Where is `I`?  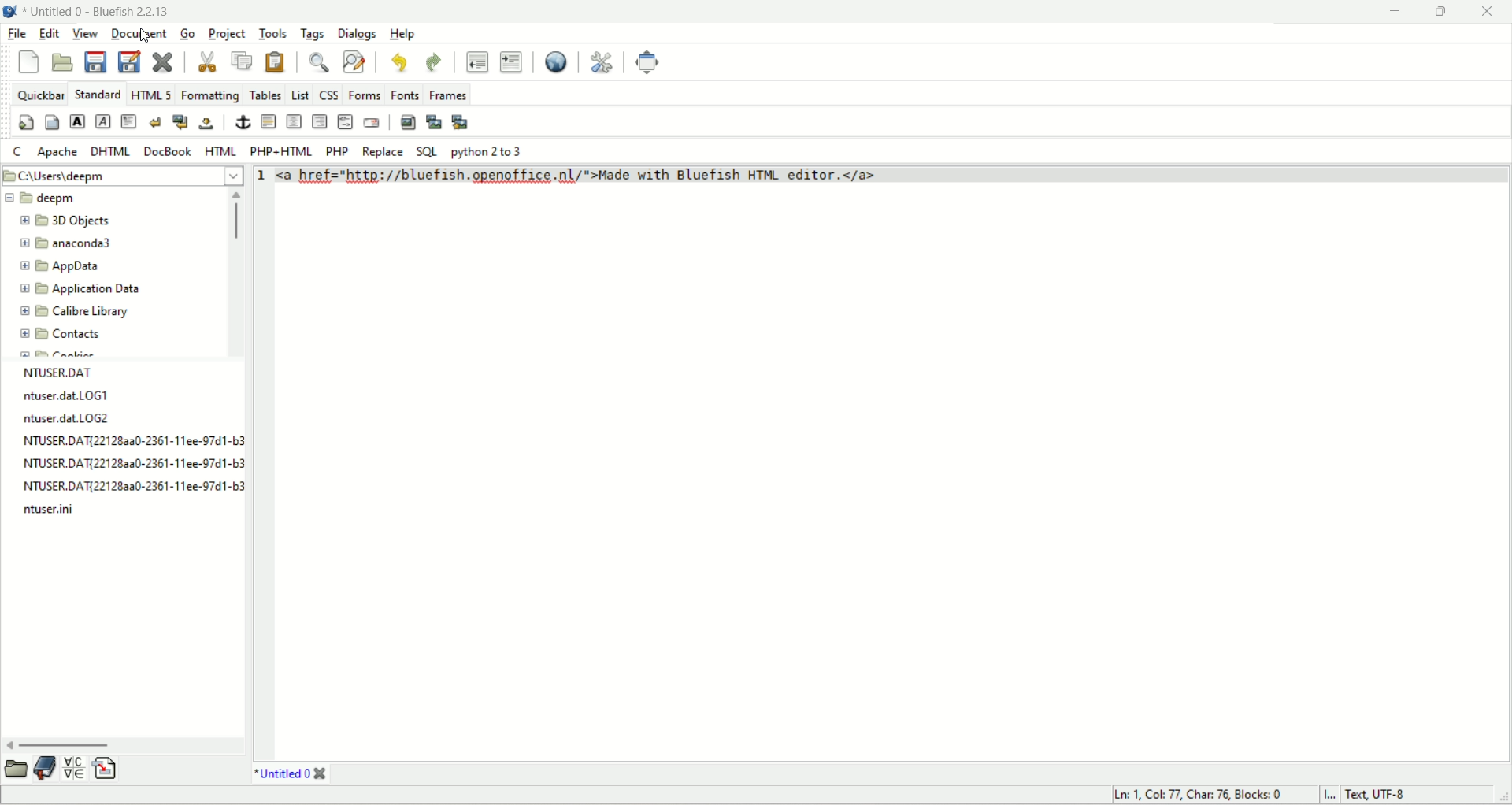
I is located at coordinates (1331, 796).